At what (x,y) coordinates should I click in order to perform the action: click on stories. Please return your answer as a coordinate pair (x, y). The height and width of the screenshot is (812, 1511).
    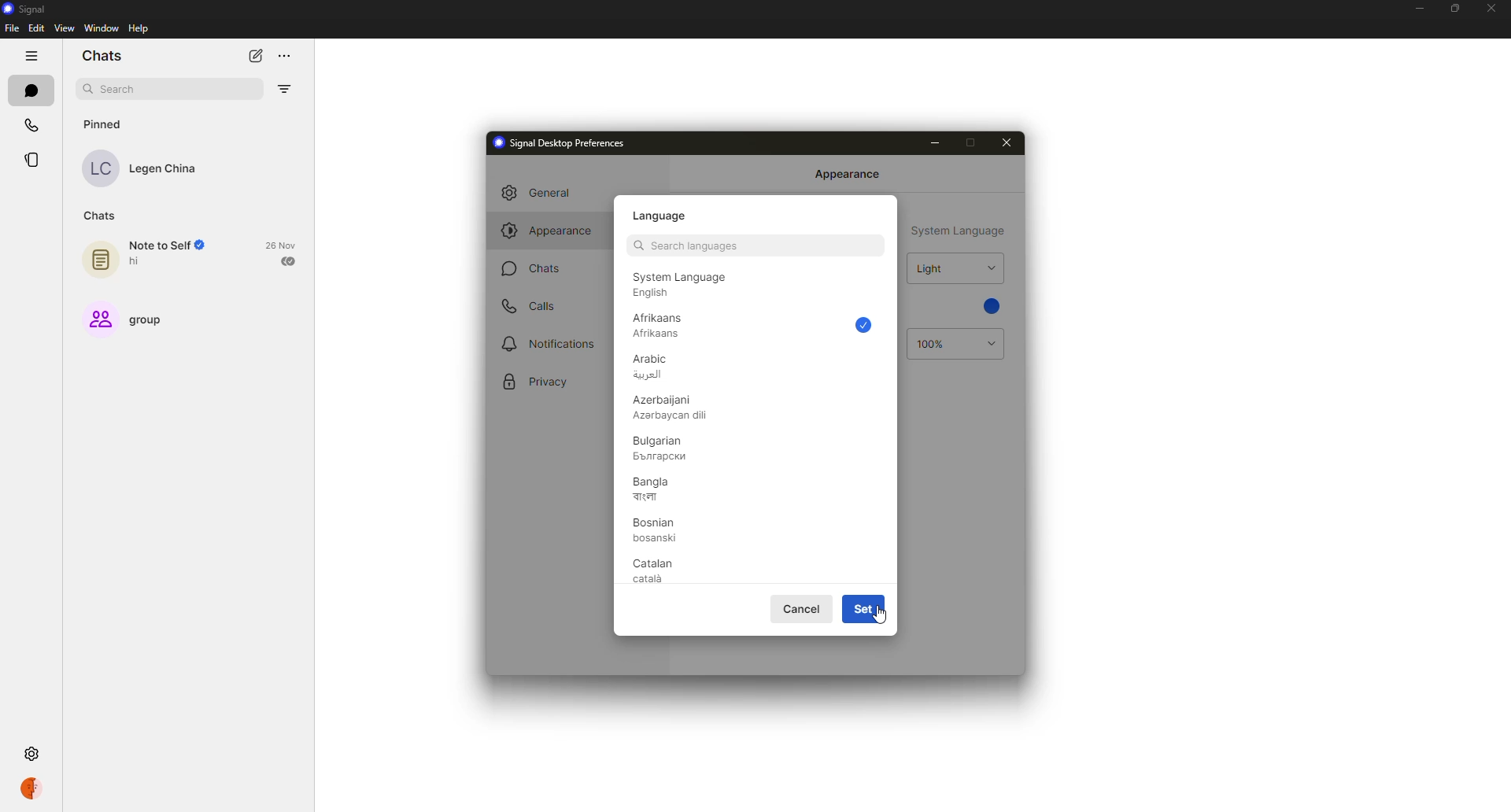
    Looking at the image, I should click on (34, 160).